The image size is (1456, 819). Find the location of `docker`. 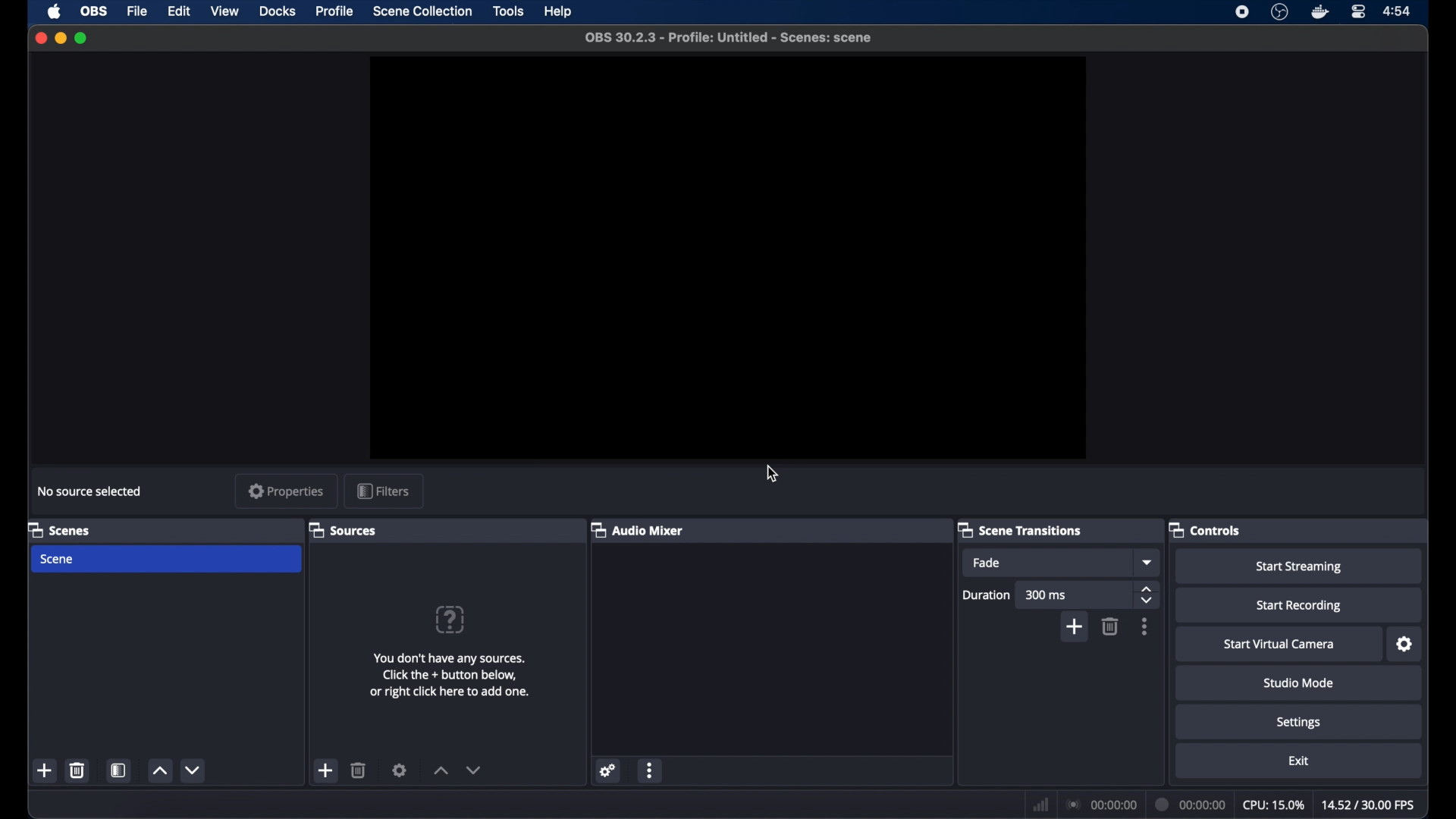

docker is located at coordinates (1318, 12).